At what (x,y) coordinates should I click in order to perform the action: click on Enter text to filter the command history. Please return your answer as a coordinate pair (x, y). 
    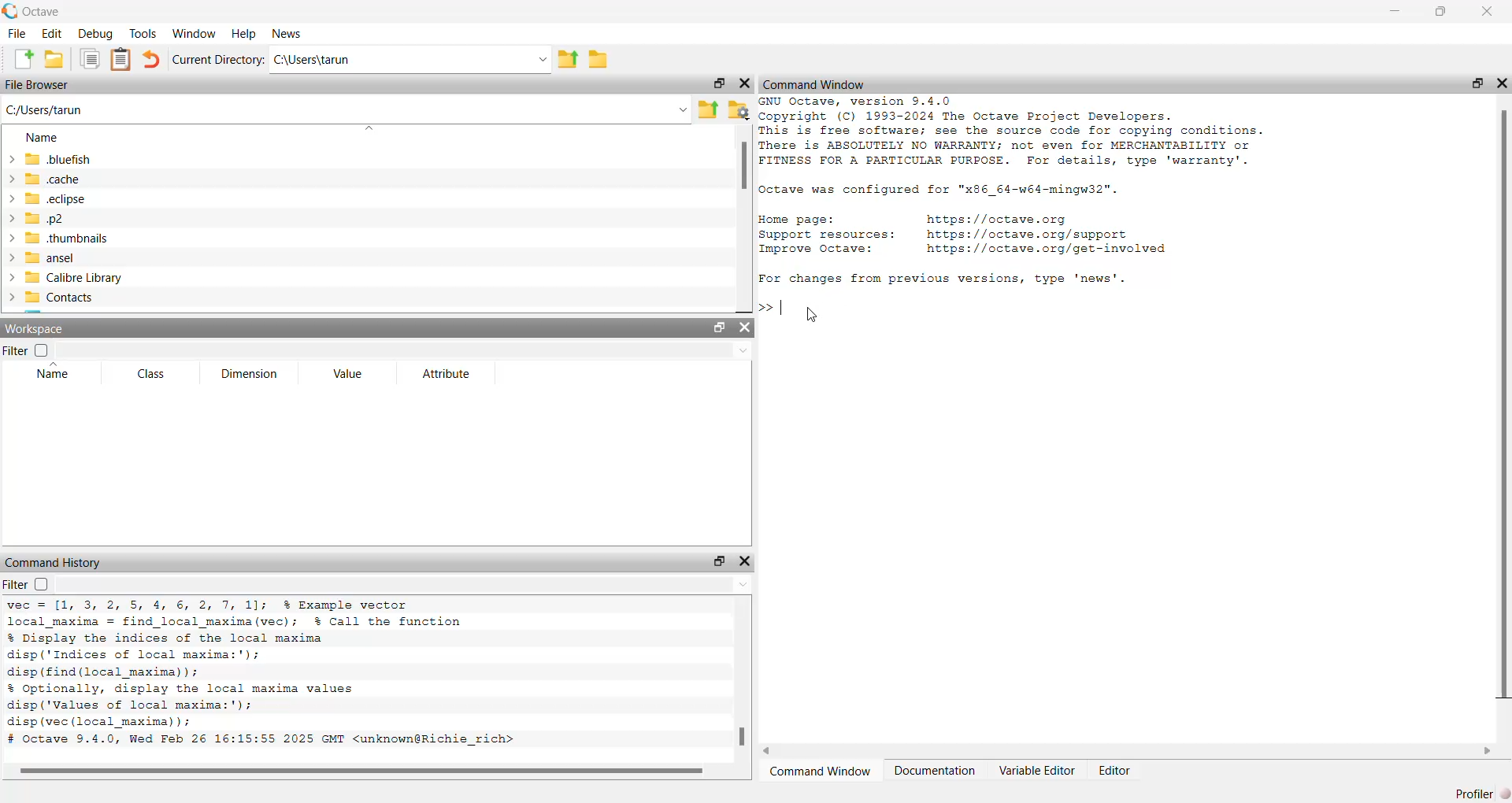
    Looking at the image, I should click on (406, 585).